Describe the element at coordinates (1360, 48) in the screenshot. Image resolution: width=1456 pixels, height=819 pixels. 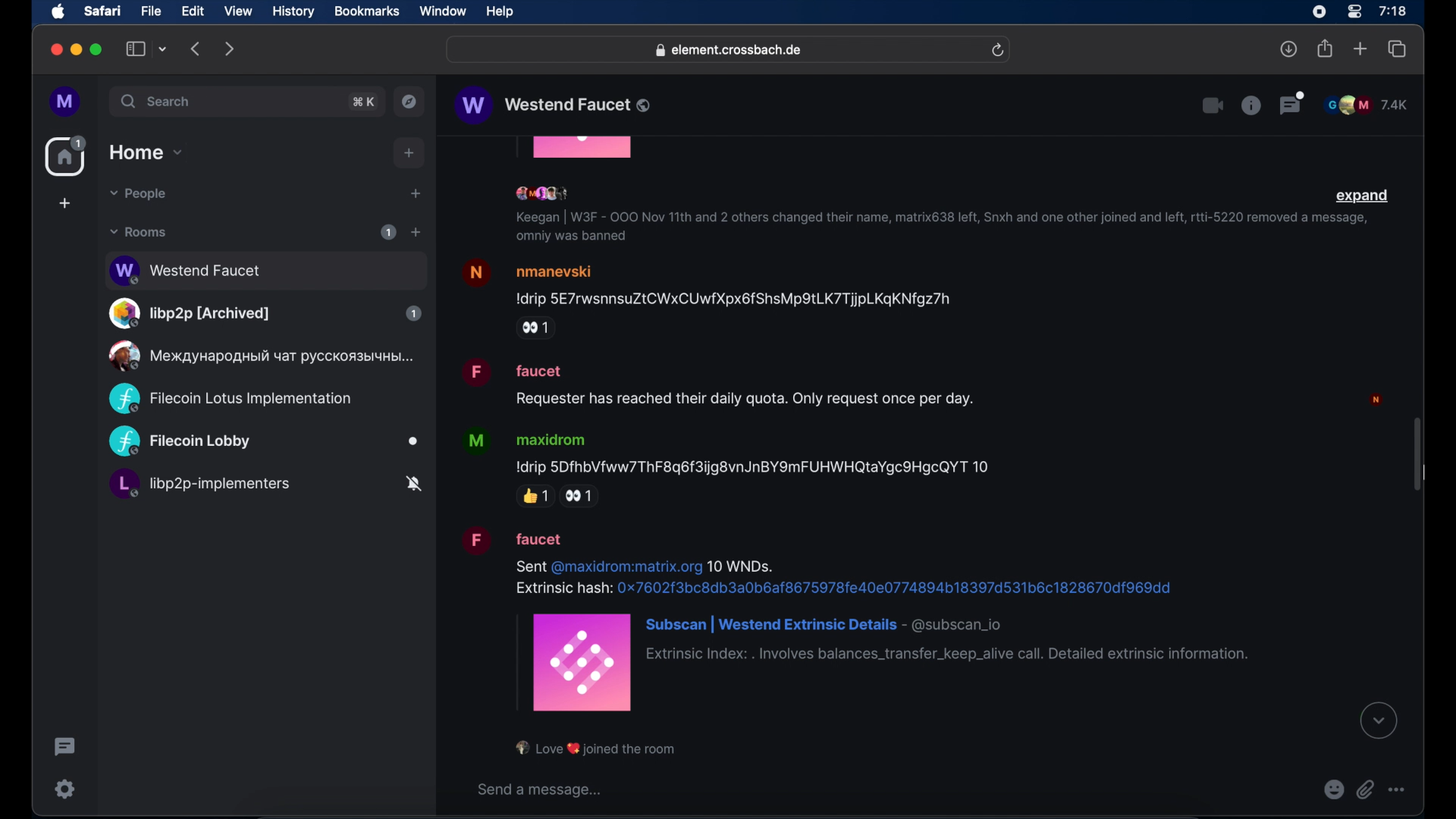
I see `new tab` at that location.